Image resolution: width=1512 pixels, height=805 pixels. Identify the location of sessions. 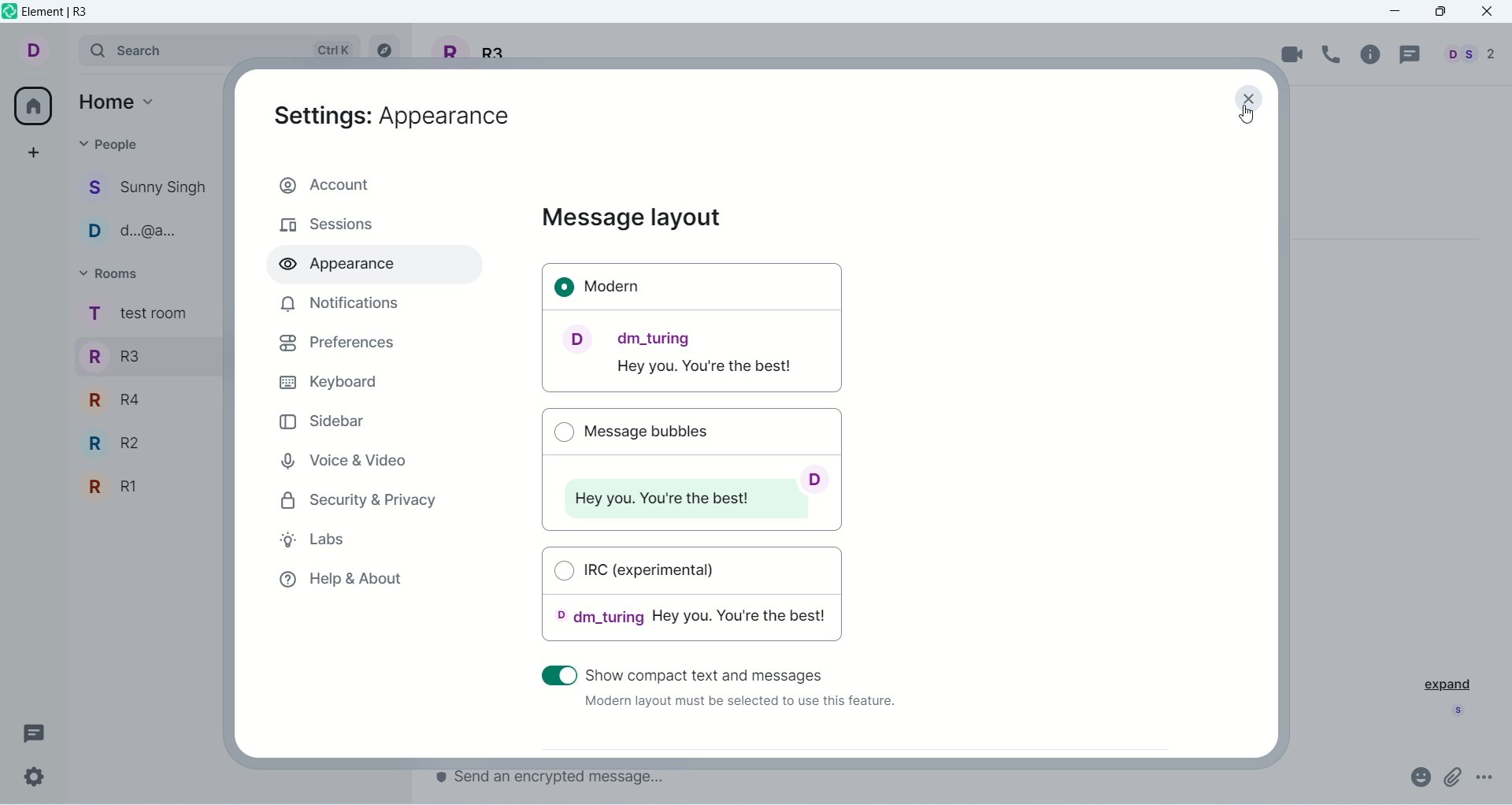
(327, 226).